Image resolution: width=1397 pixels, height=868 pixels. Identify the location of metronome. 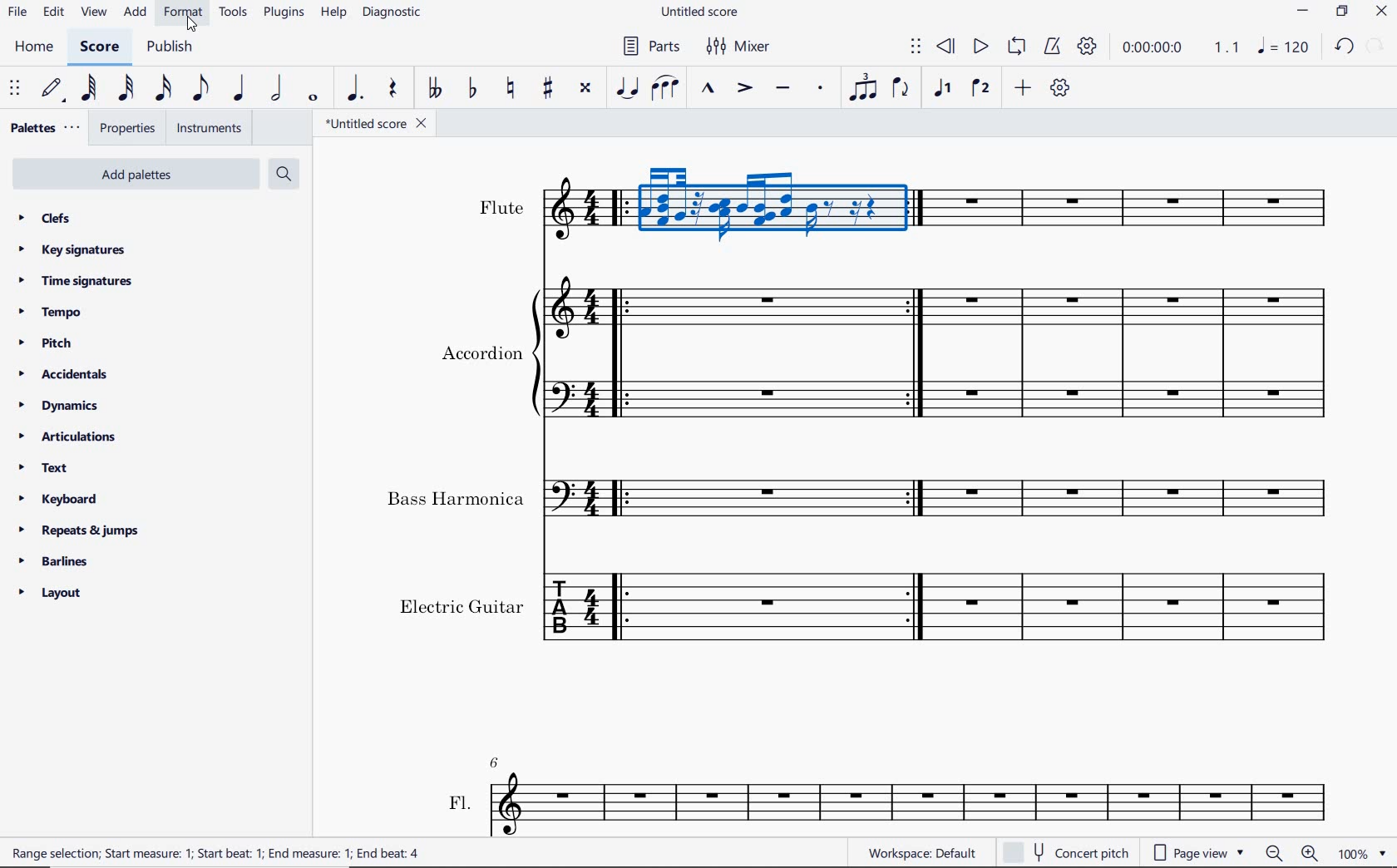
(1051, 47).